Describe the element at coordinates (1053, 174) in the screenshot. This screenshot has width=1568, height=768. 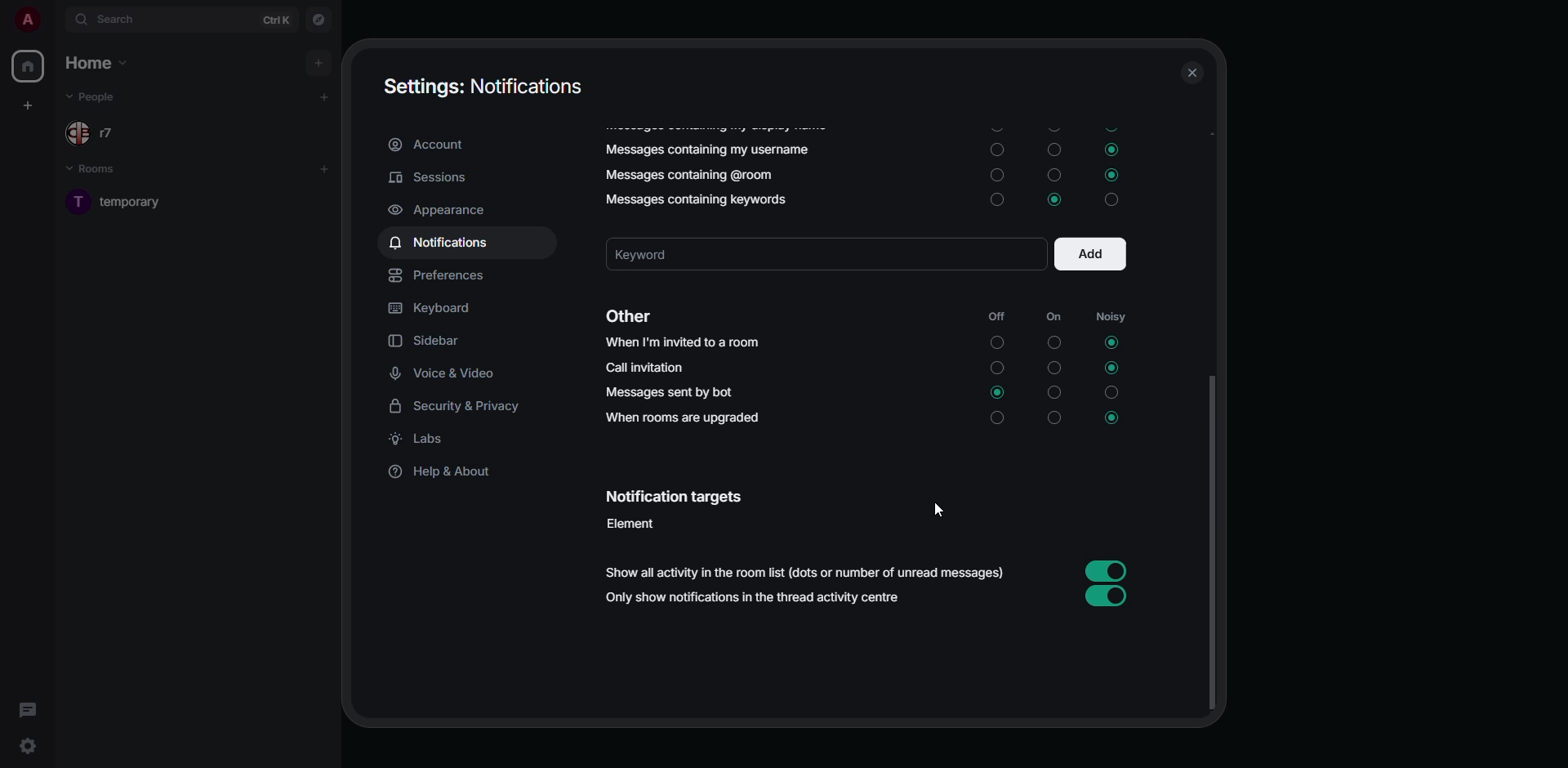
I see `On` at that location.